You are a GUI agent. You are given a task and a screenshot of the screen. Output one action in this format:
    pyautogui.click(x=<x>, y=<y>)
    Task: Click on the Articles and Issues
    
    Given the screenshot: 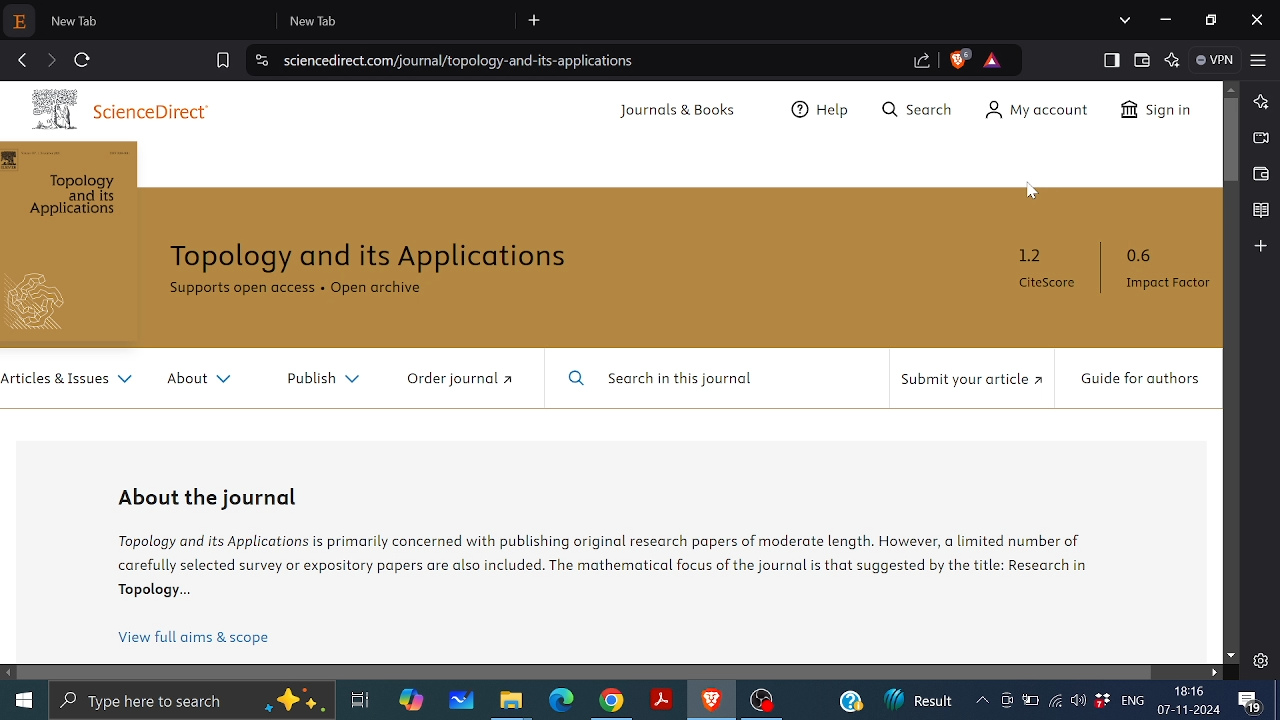 What is the action you would take?
    pyautogui.click(x=69, y=382)
    